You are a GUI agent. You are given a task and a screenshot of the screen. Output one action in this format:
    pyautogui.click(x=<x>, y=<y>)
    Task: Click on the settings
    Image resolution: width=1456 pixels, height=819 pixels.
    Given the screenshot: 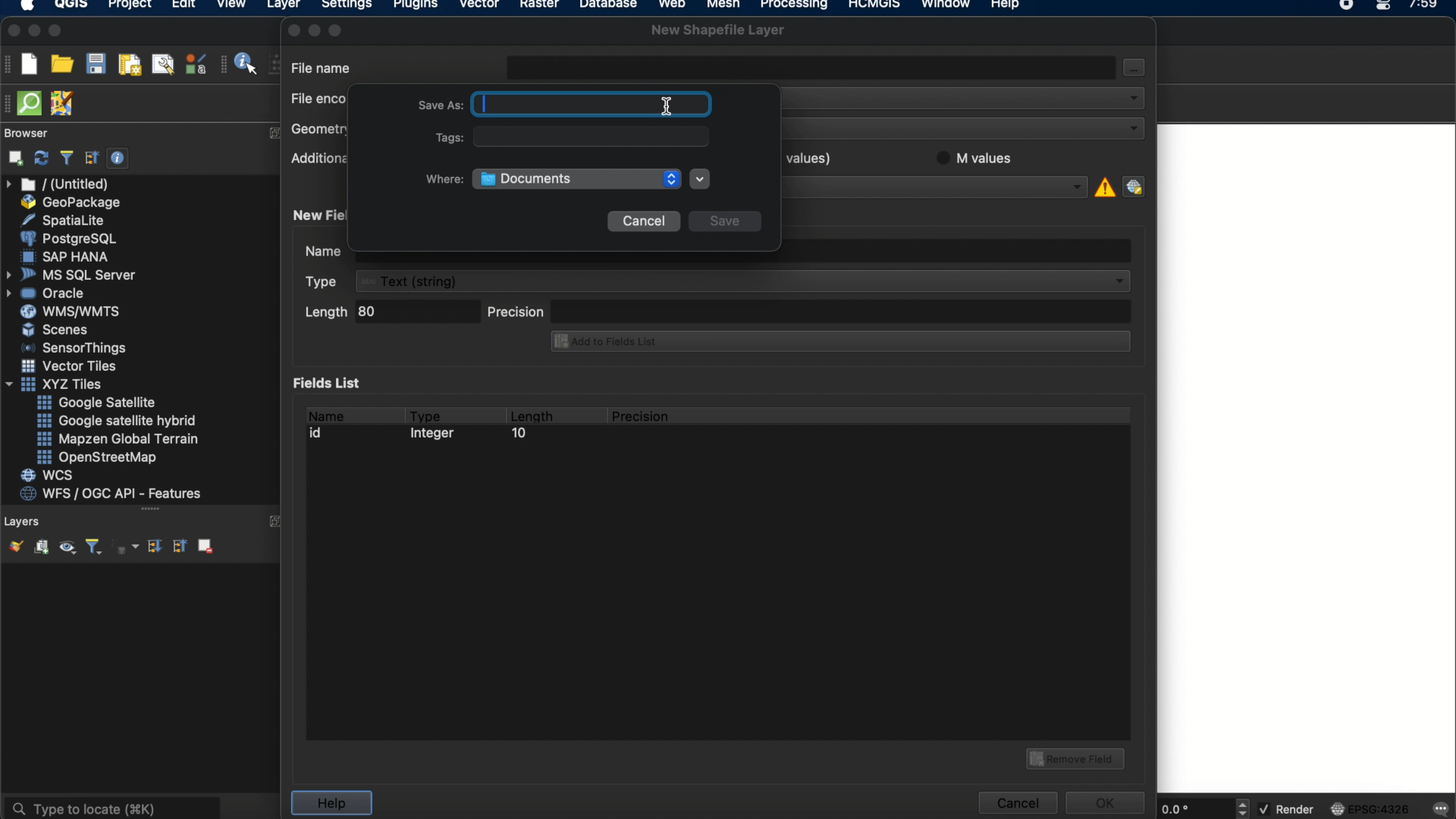 What is the action you would take?
    pyautogui.click(x=346, y=7)
    